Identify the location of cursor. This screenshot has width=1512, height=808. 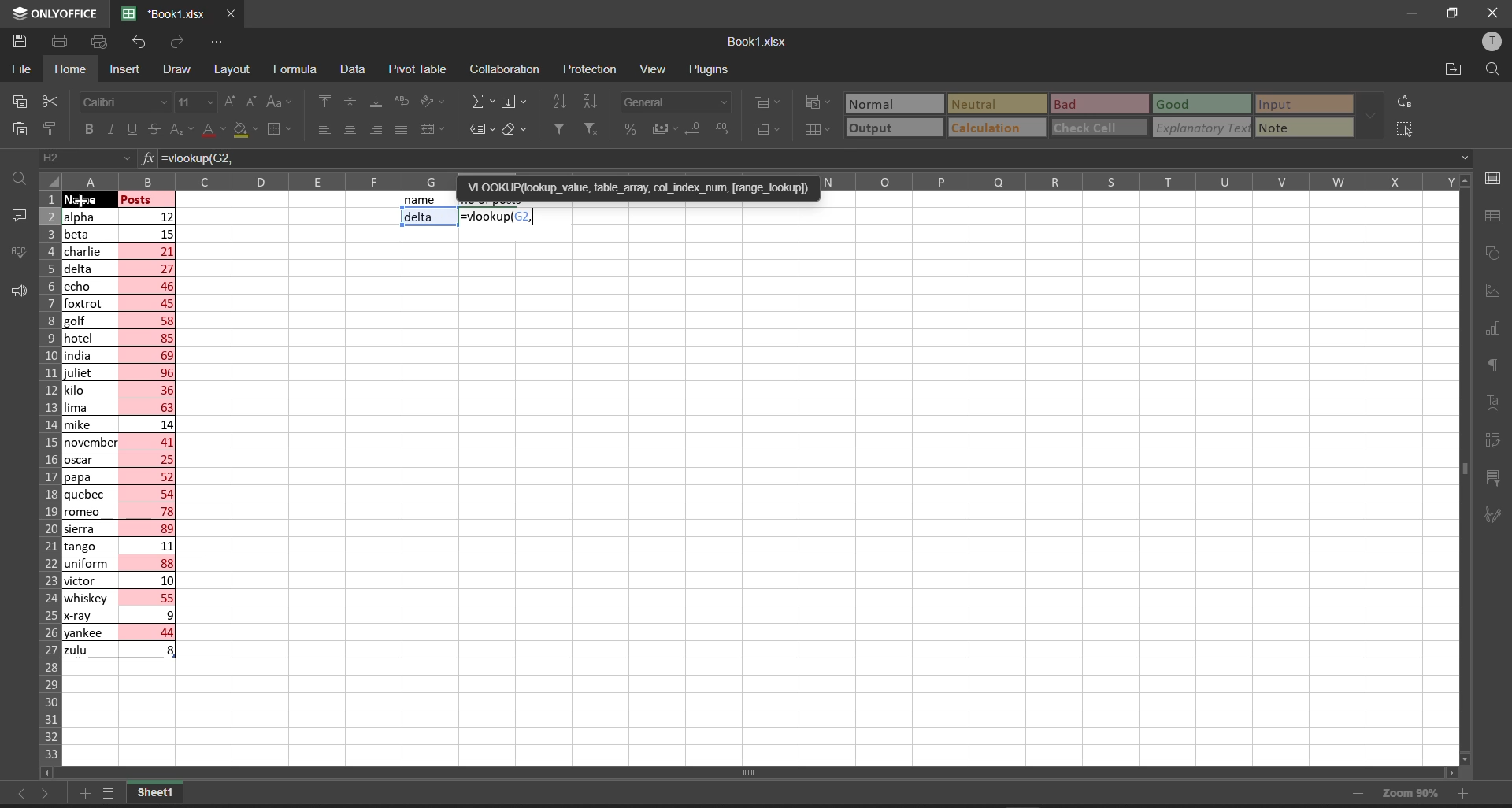
(83, 202).